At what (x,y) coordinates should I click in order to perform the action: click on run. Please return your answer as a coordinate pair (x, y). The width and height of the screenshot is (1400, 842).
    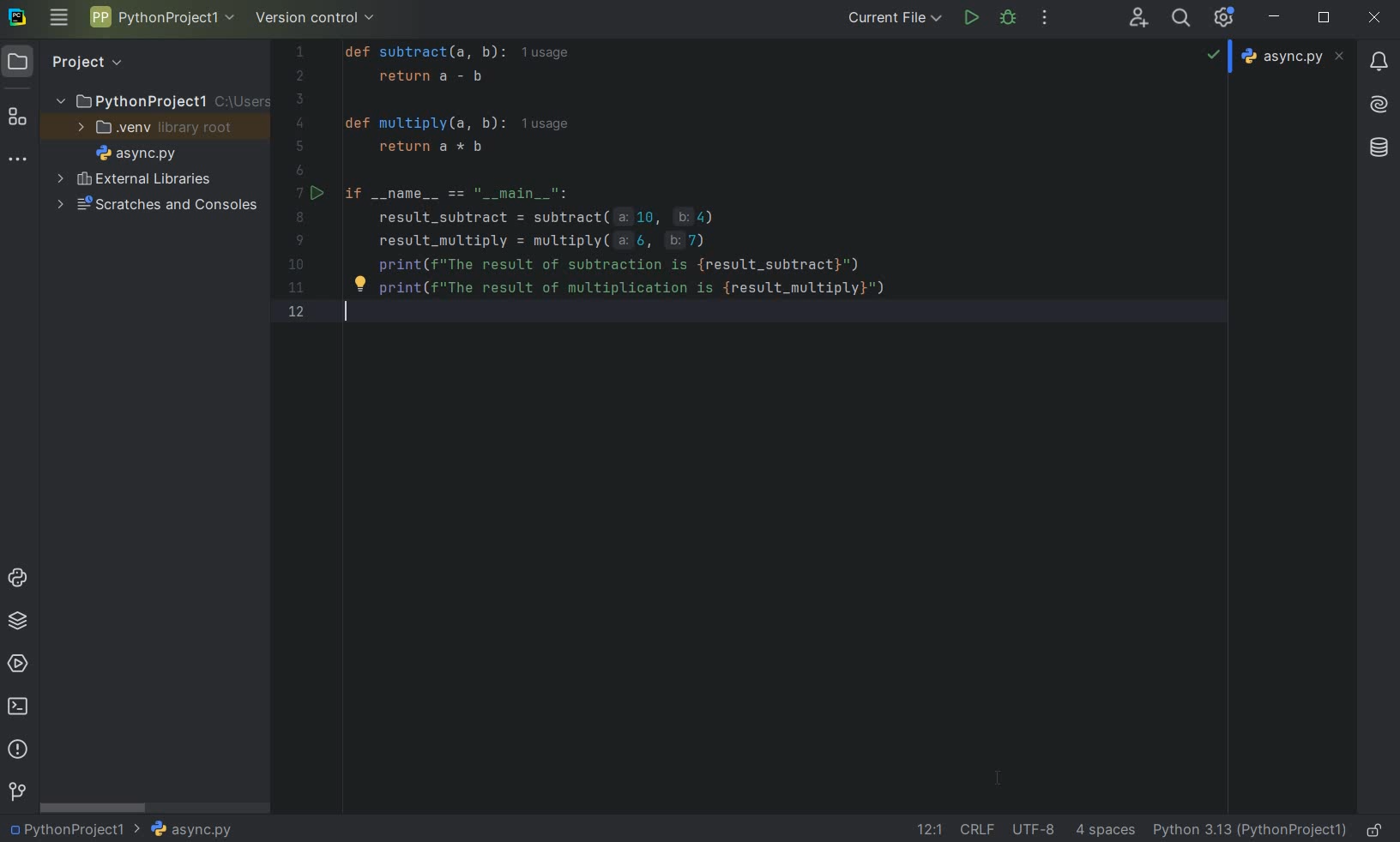
    Looking at the image, I should click on (970, 18).